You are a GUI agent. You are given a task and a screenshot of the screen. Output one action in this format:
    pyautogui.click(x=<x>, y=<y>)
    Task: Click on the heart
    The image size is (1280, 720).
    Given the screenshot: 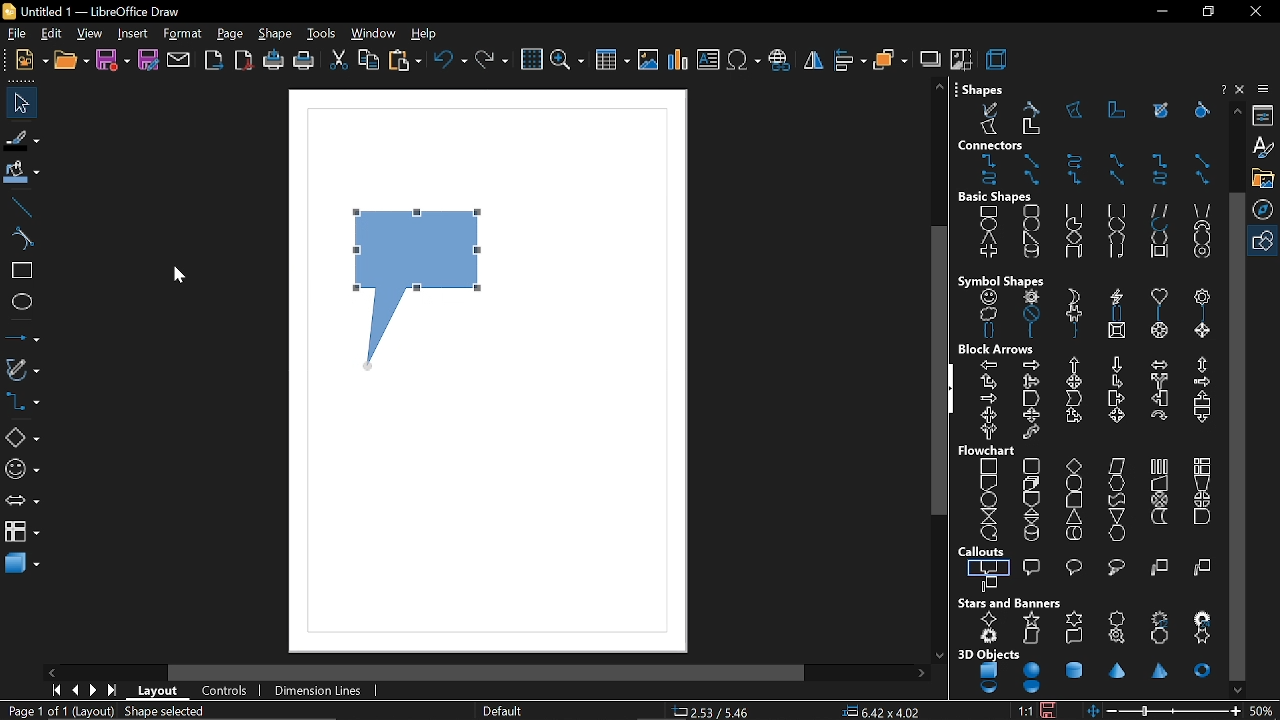 What is the action you would take?
    pyautogui.click(x=1159, y=297)
    